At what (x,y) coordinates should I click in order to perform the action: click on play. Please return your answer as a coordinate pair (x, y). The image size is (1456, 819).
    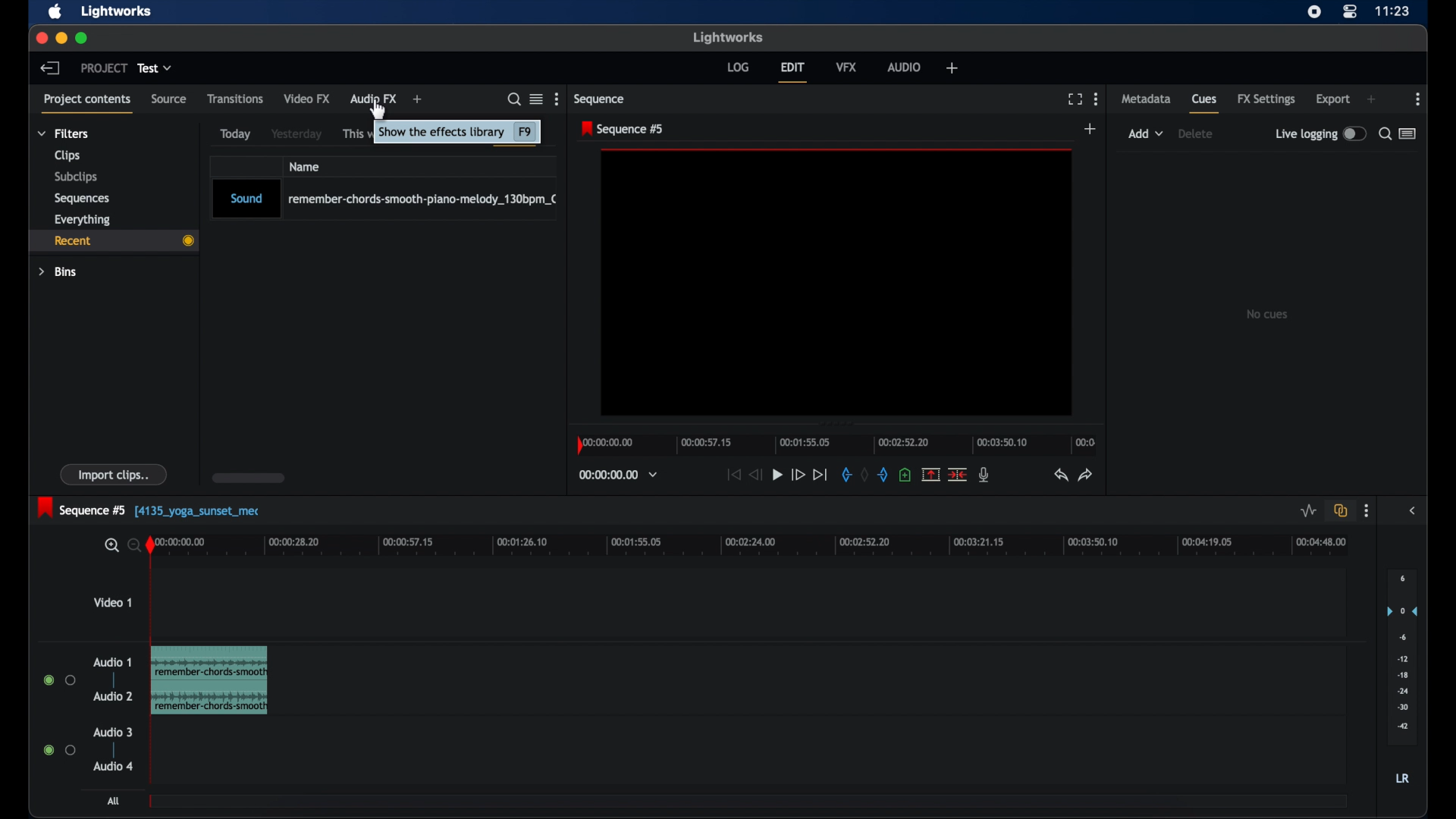
    Looking at the image, I should click on (777, 475).